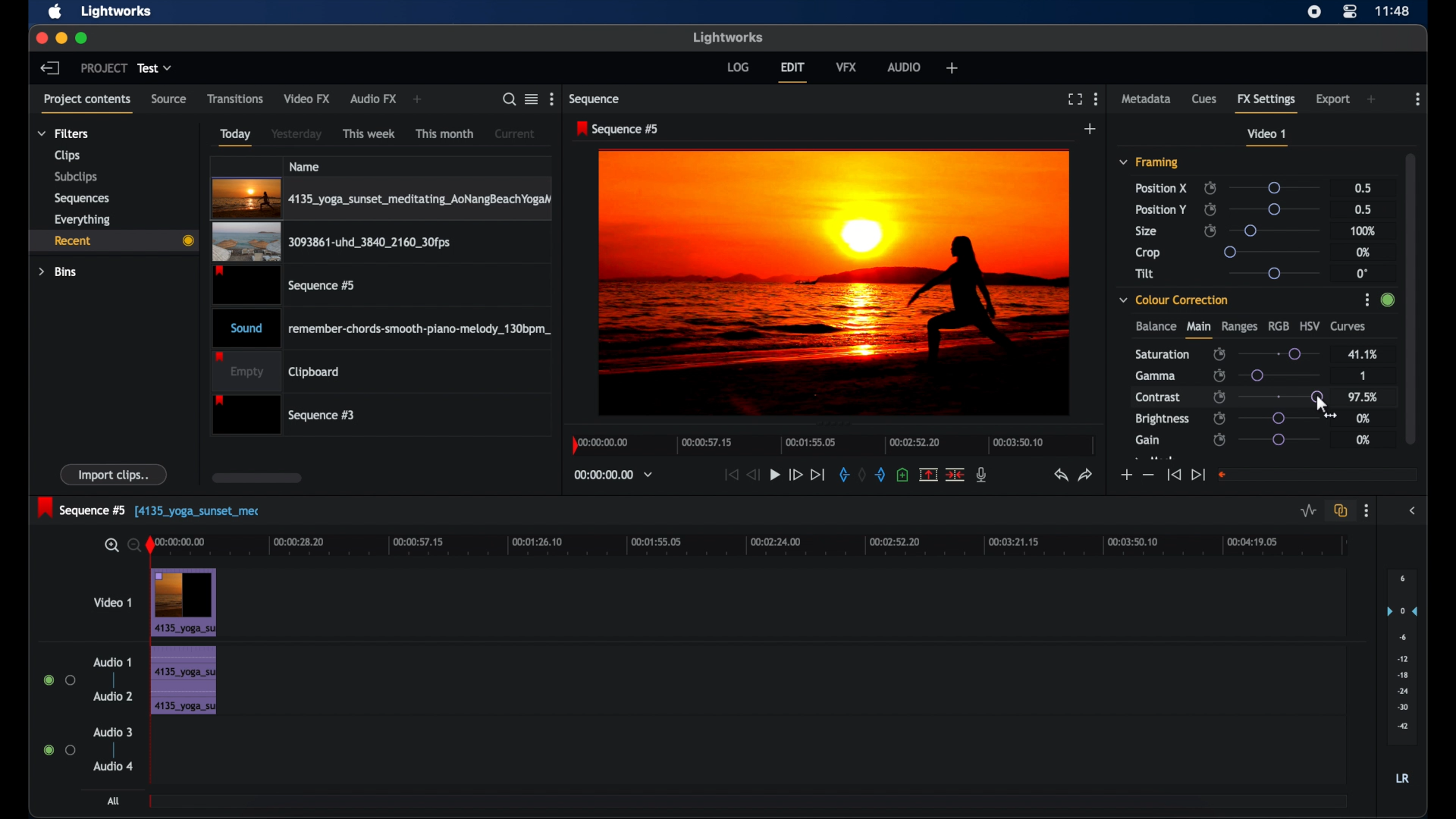 The width and height of the screenshot is (1456, 819). Describe the element at coordinates (1364, 419) in the screenshot. I see `0%` at that location.